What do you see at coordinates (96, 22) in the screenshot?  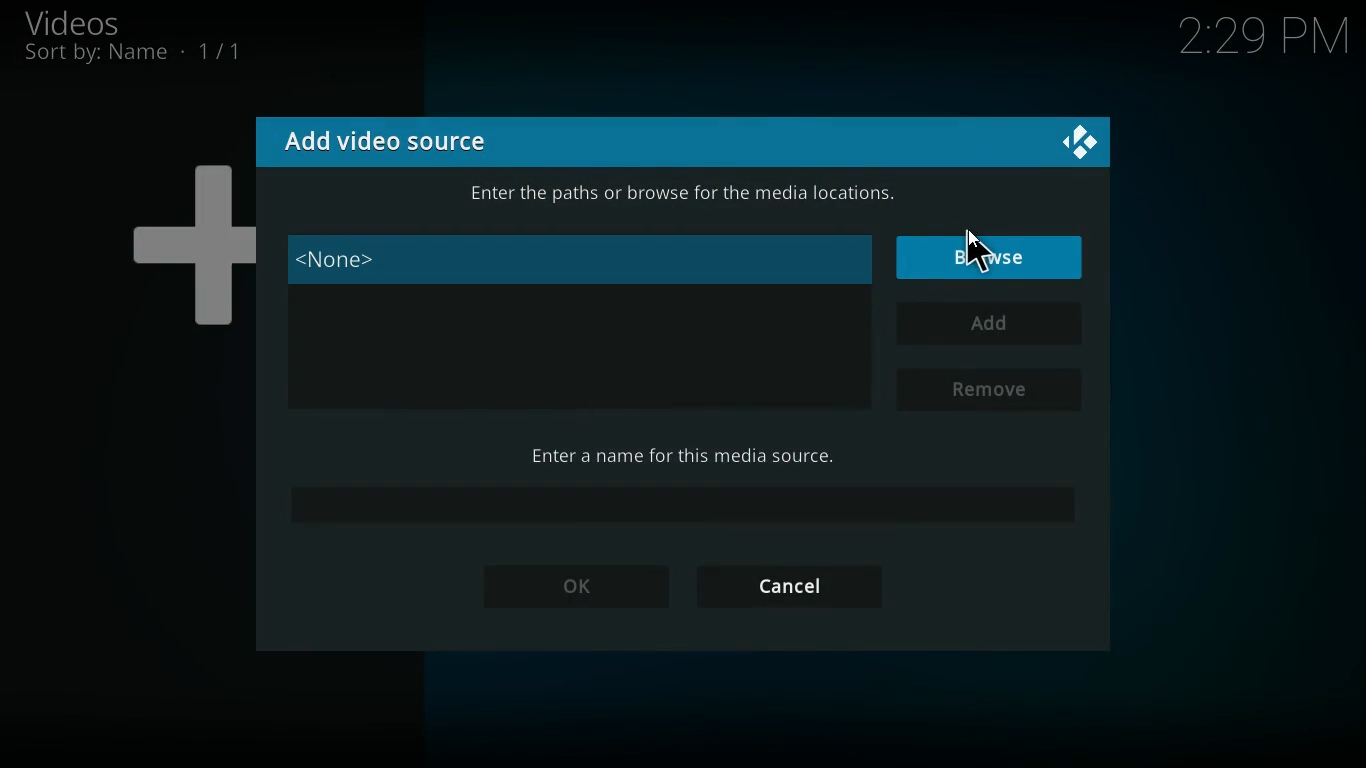 I see `videos` at bounding box center [96, 22].